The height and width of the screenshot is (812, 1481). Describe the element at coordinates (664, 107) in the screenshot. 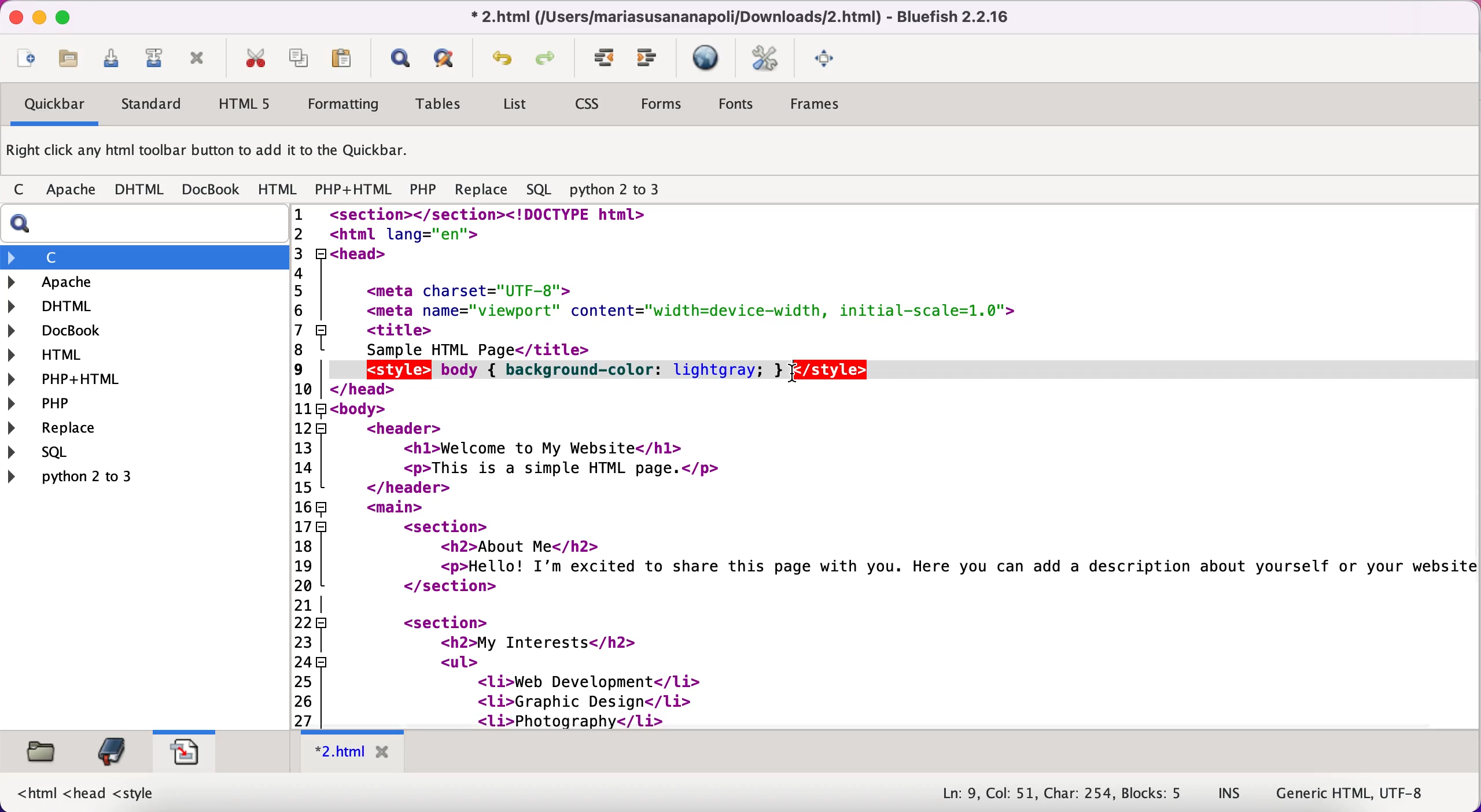

I see `forms` at that location.